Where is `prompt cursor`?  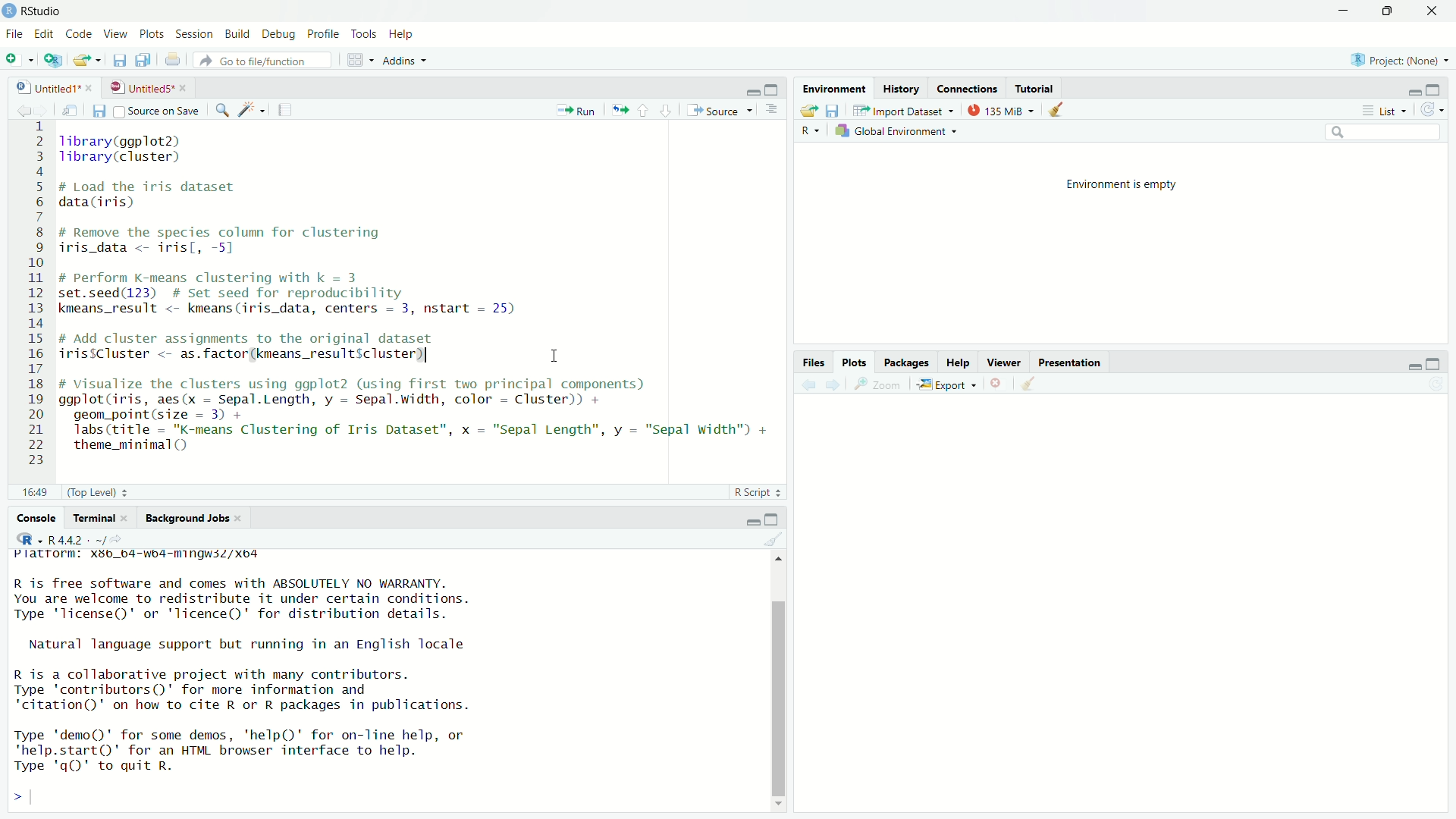
prompt cursor is located at coordinates (13, 799).